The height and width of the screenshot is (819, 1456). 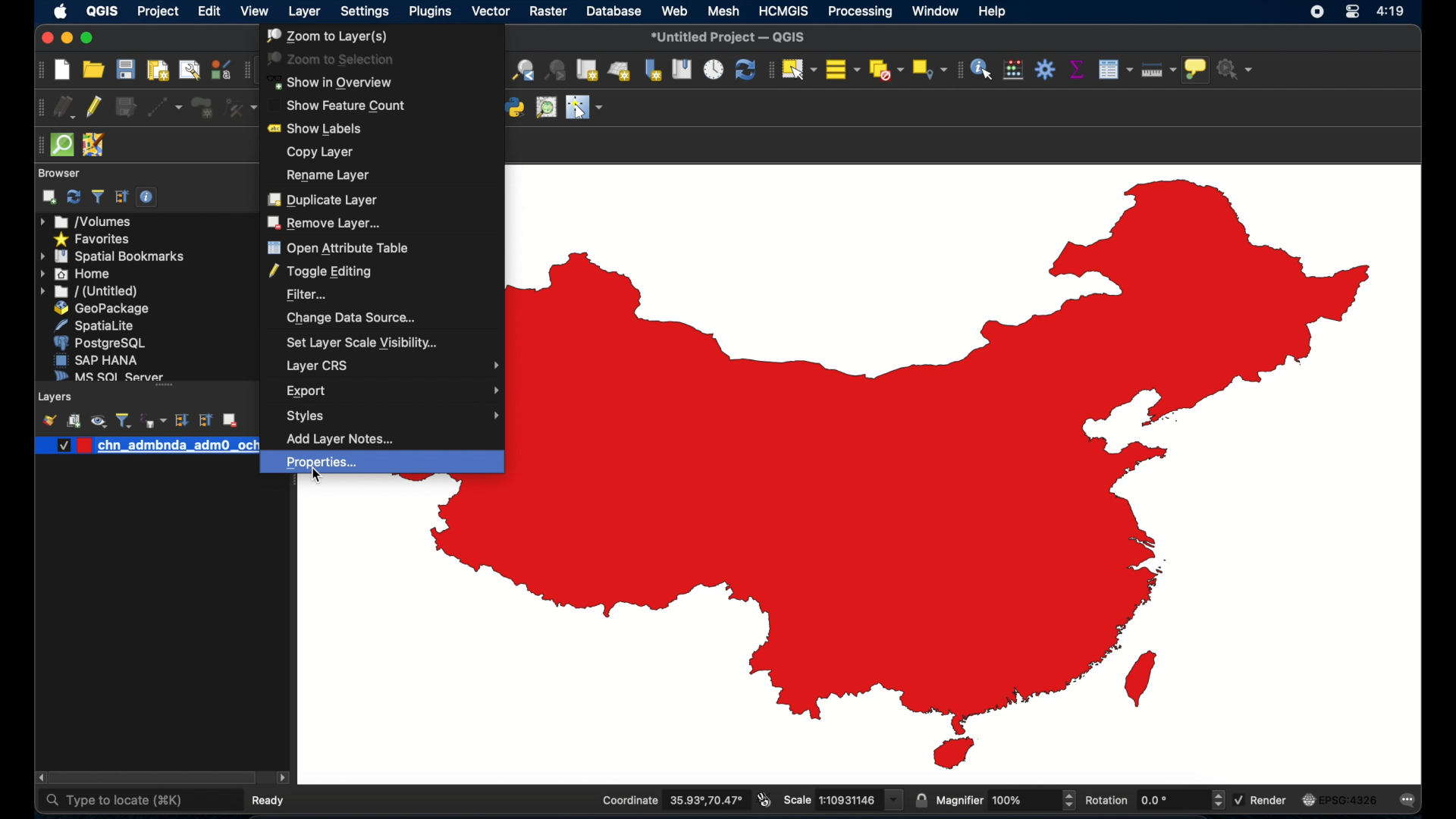 What do you see at coordinates (491, 11) in the screenshot?
I see `vector` at bounding box center [491, 11].